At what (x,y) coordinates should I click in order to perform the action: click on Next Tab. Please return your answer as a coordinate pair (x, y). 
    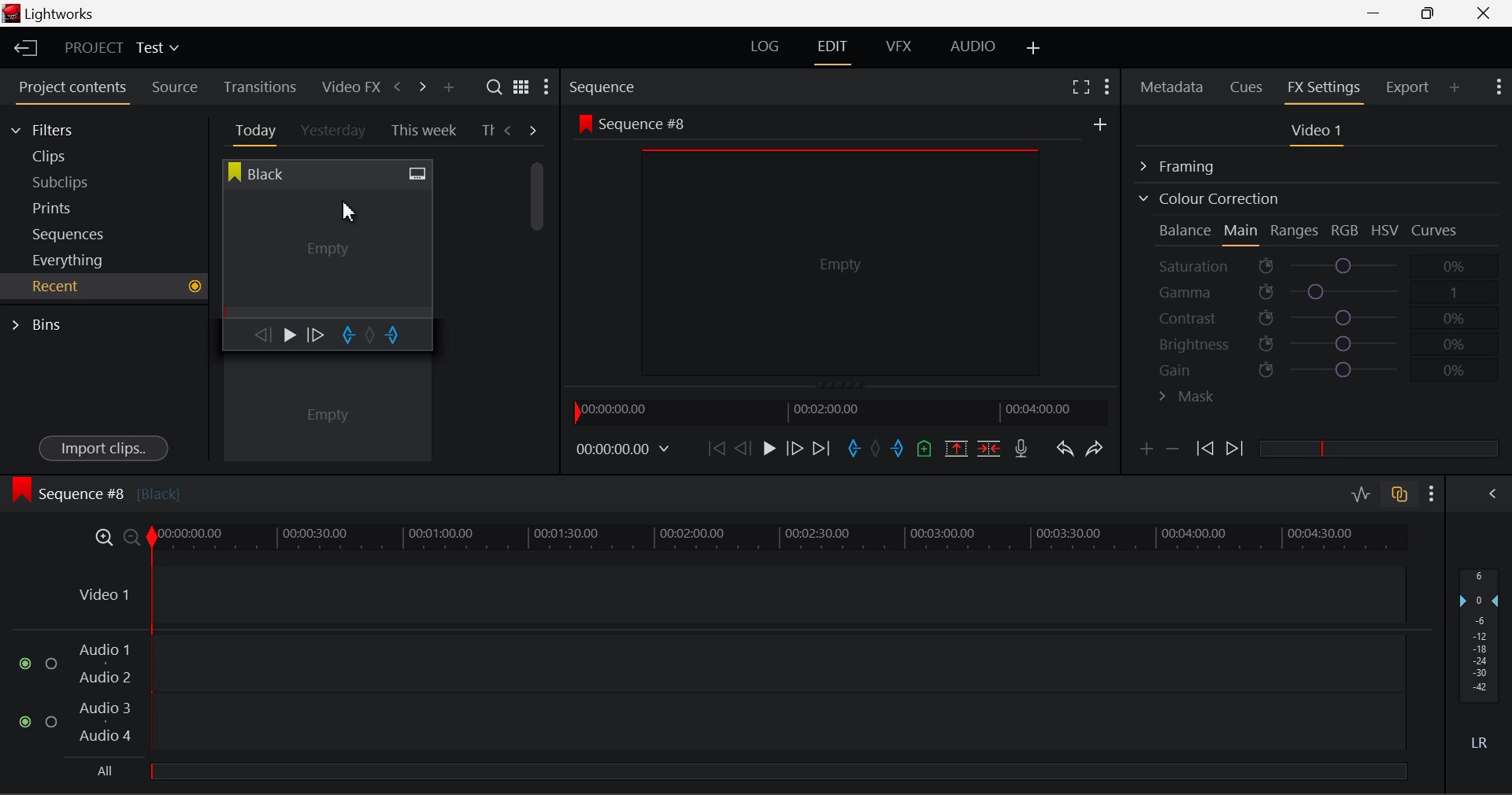
    Looking at the image, I should click on (534, 129).